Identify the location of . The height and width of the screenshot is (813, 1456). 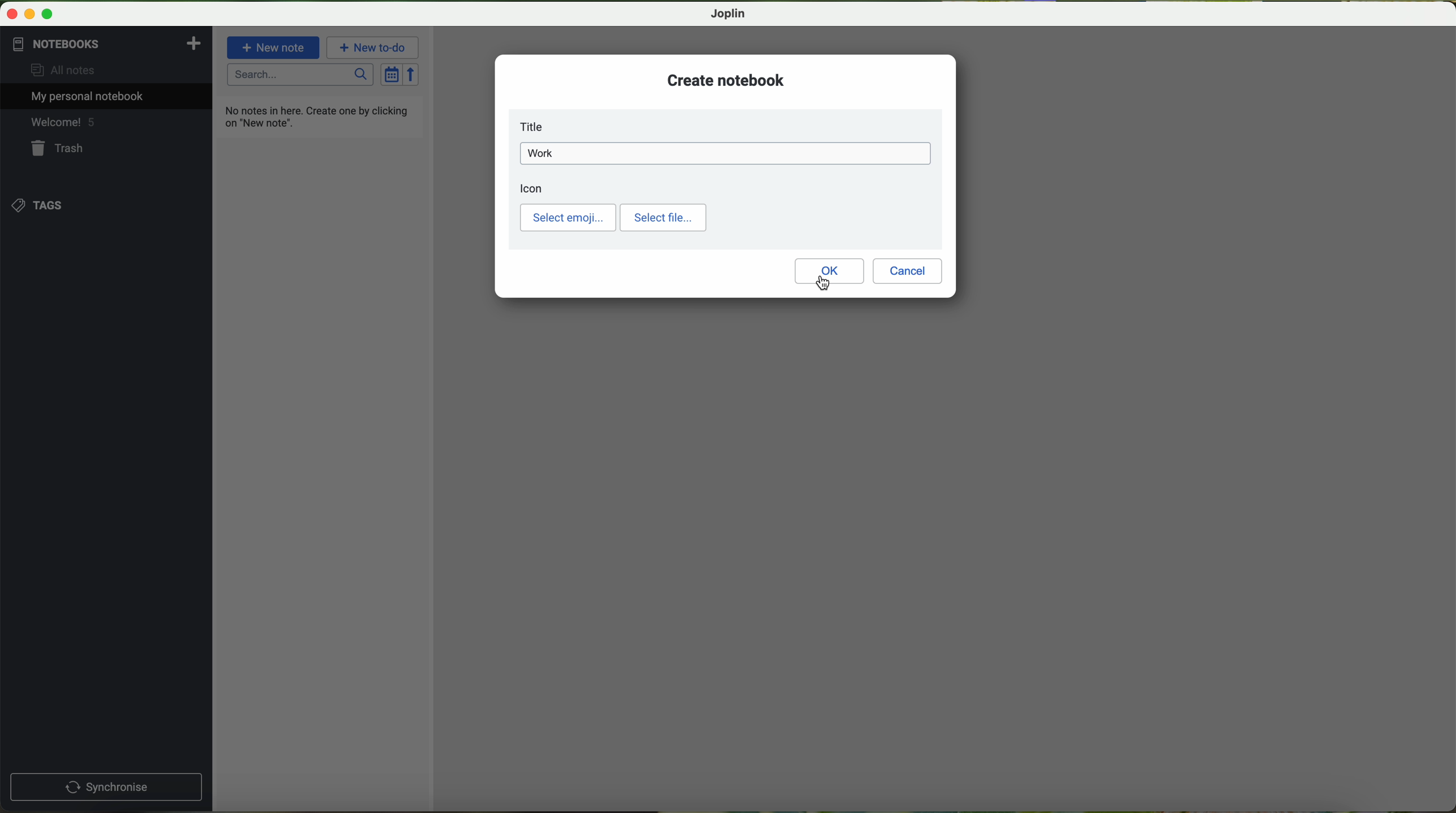
(391, 75).